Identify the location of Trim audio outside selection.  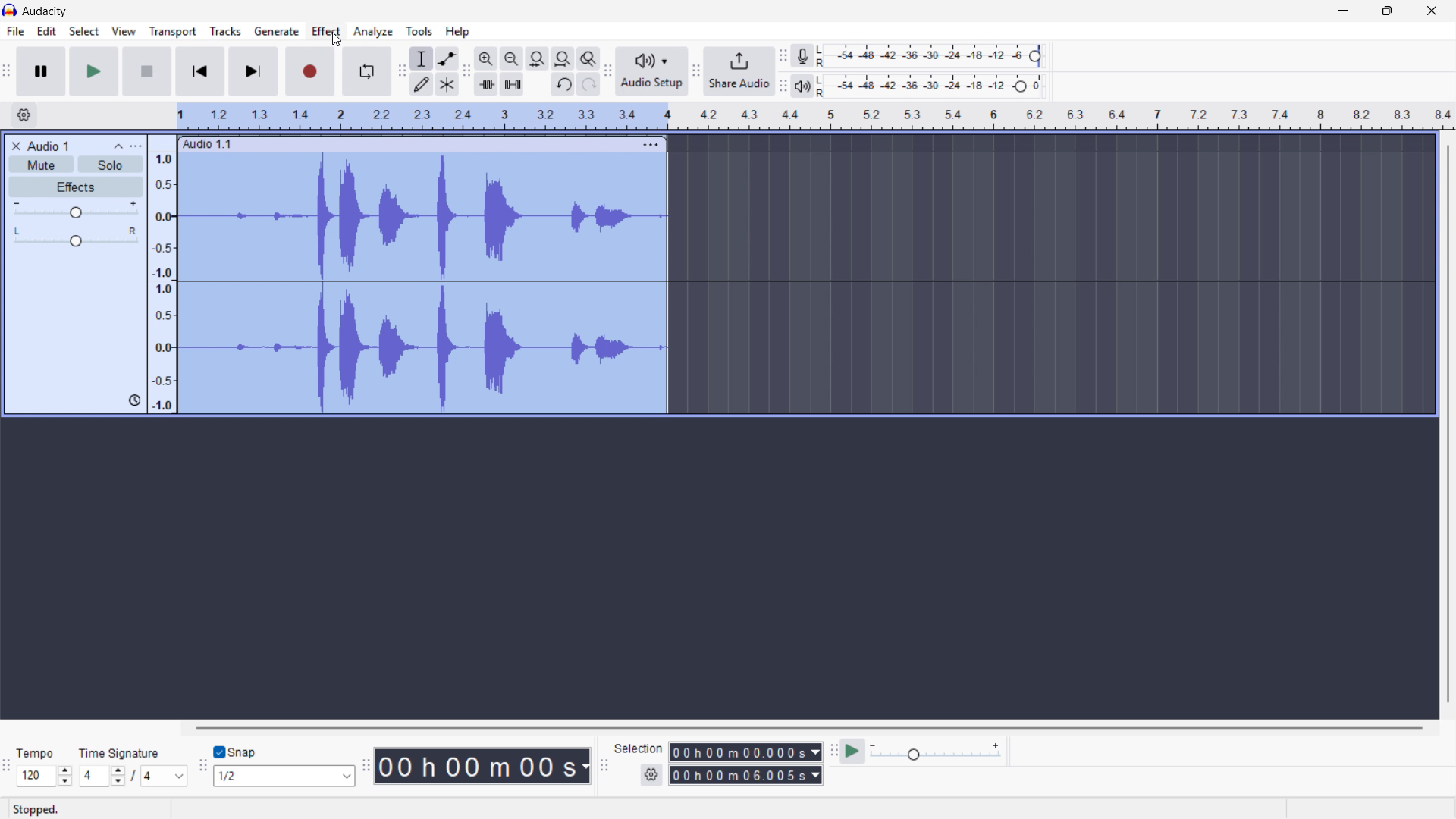
(486, 83).